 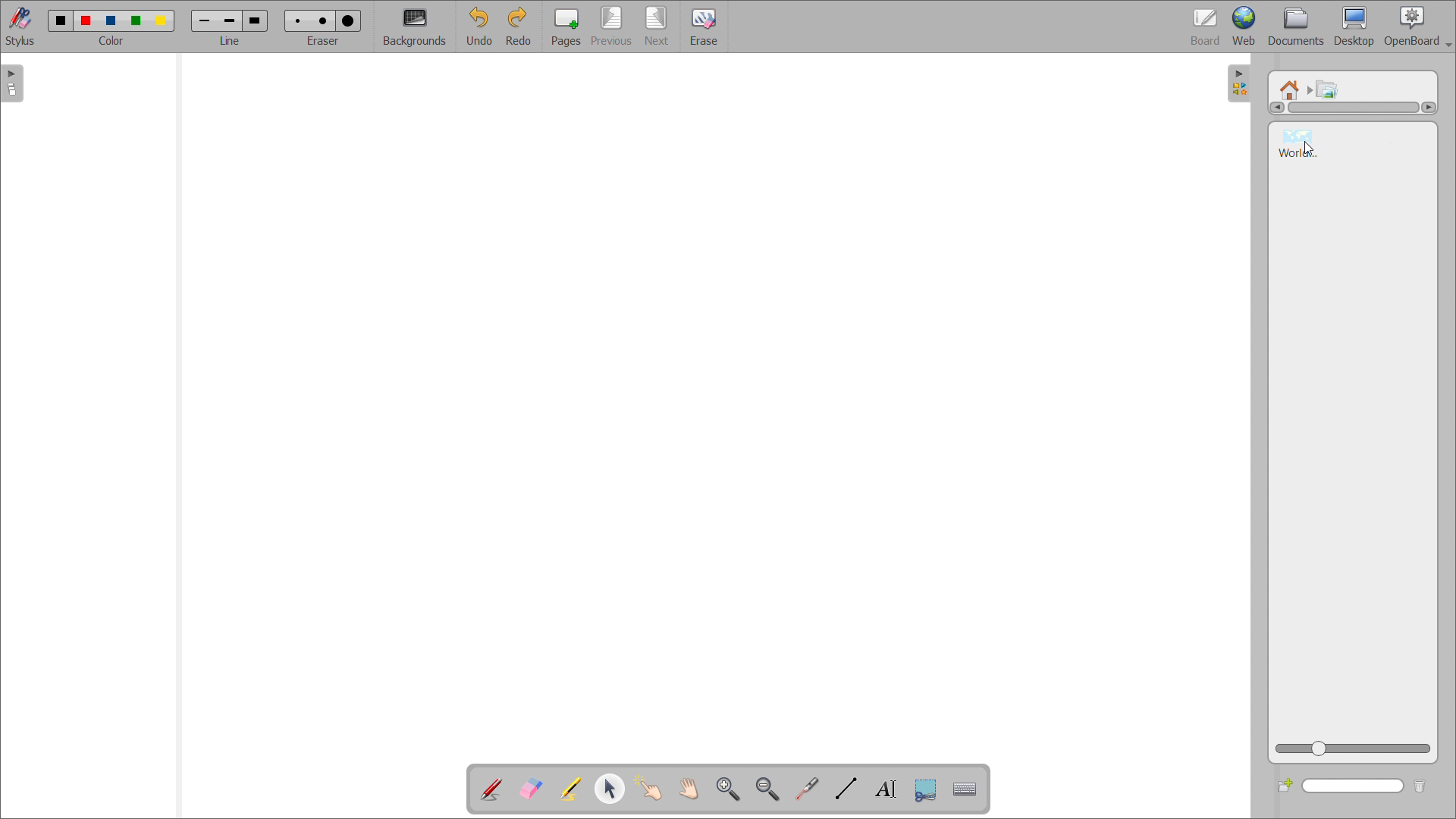 What do you see at coordinates (886, 789) in the screenshot?
I see `write text` at bounding box center [886, 789].